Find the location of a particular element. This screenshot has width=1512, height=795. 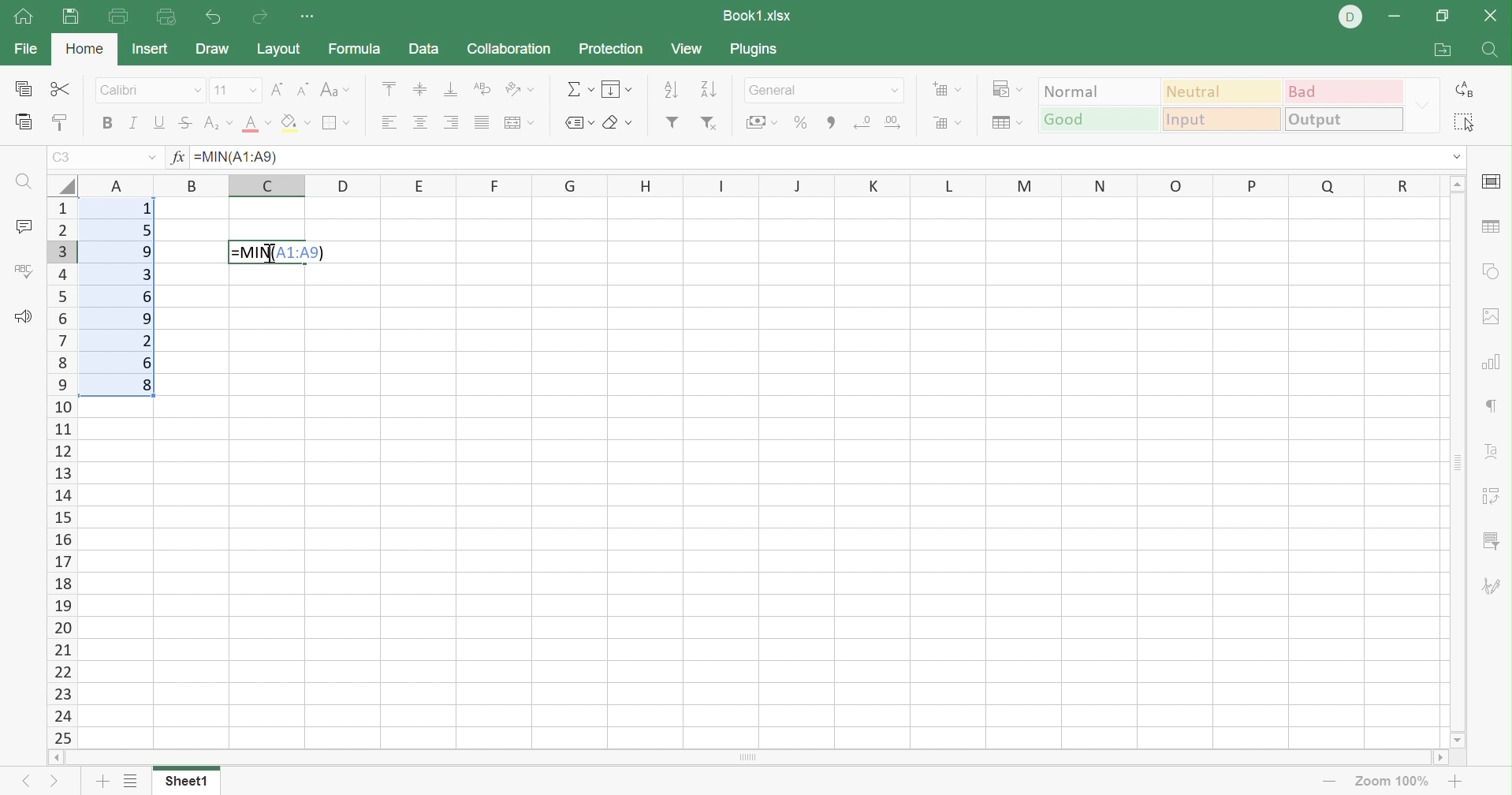

Protection is located at coordinates (611, 50).